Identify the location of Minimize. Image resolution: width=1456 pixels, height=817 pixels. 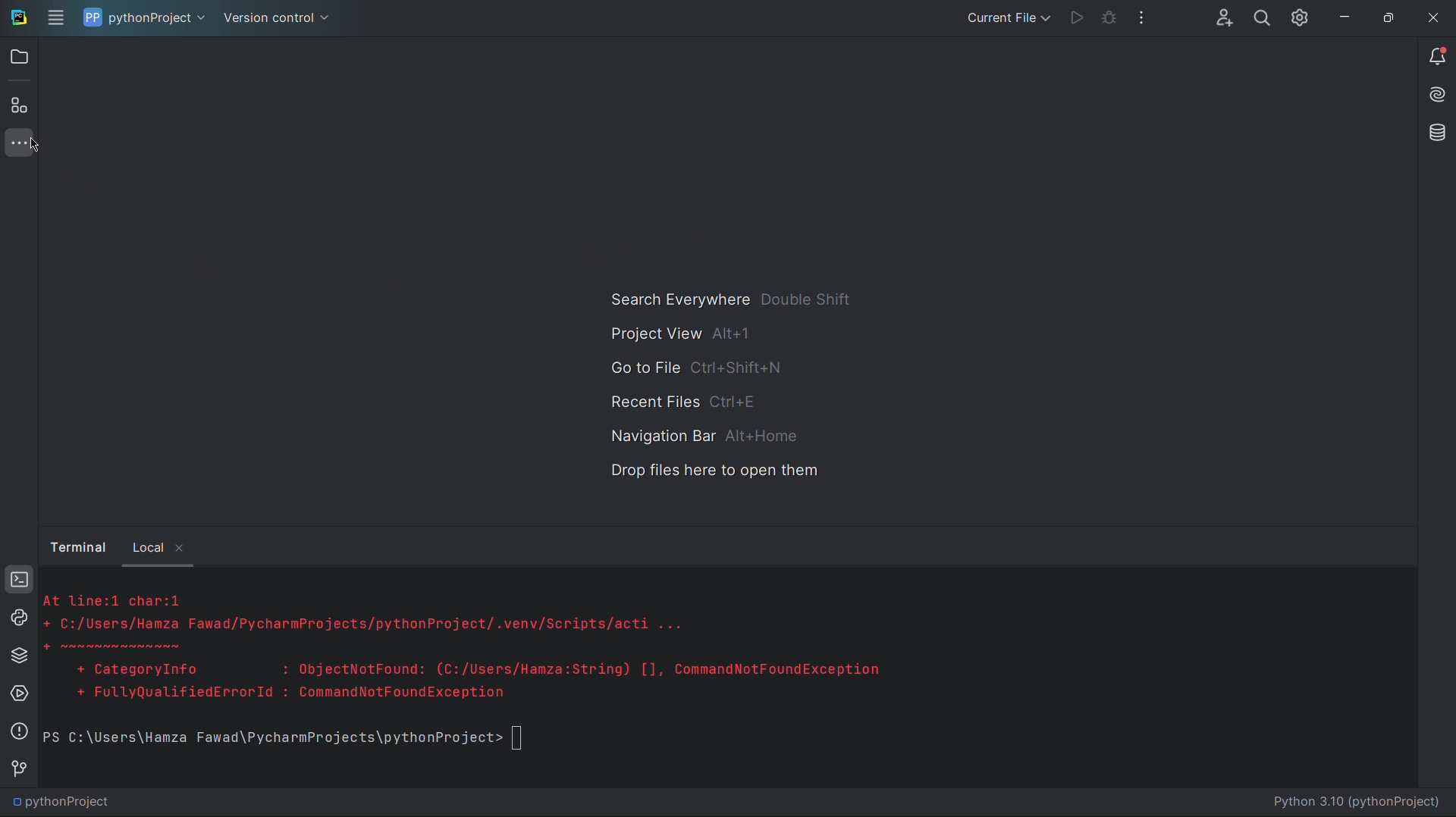
(1340, 16).